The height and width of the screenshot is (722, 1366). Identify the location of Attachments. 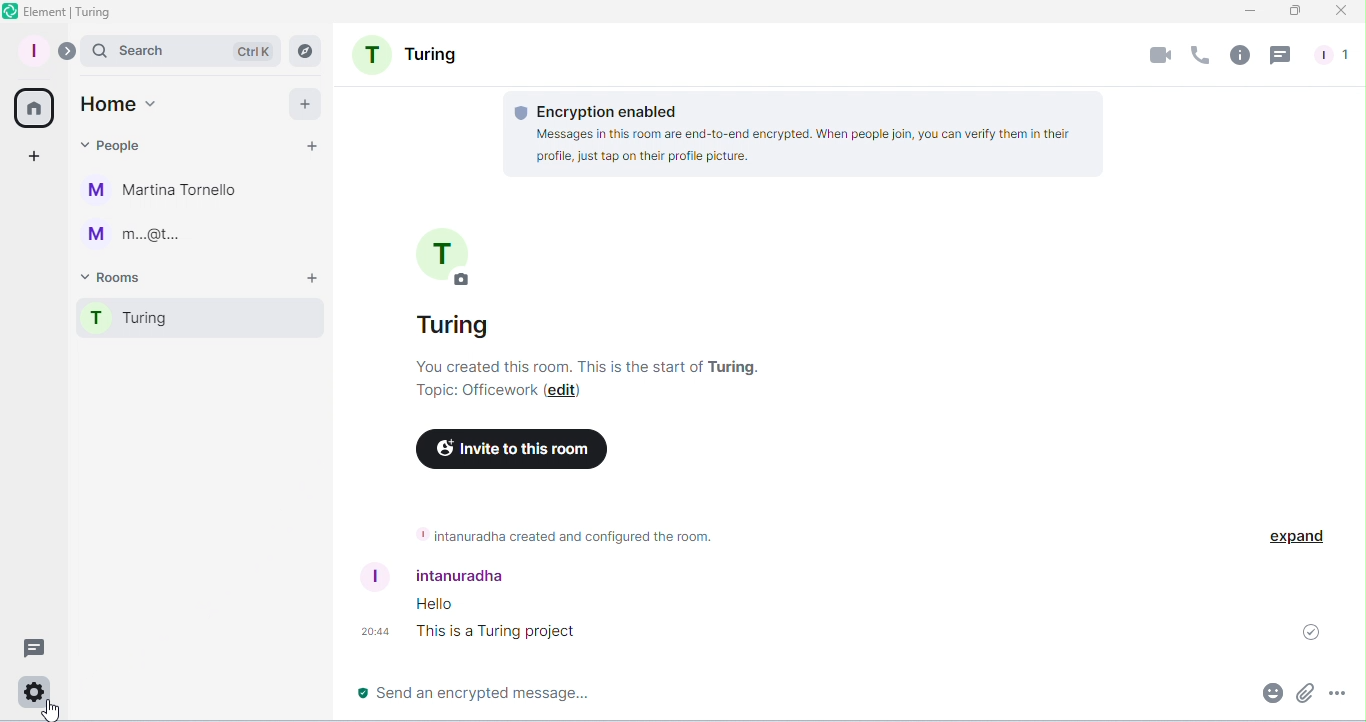
(1303, 692).